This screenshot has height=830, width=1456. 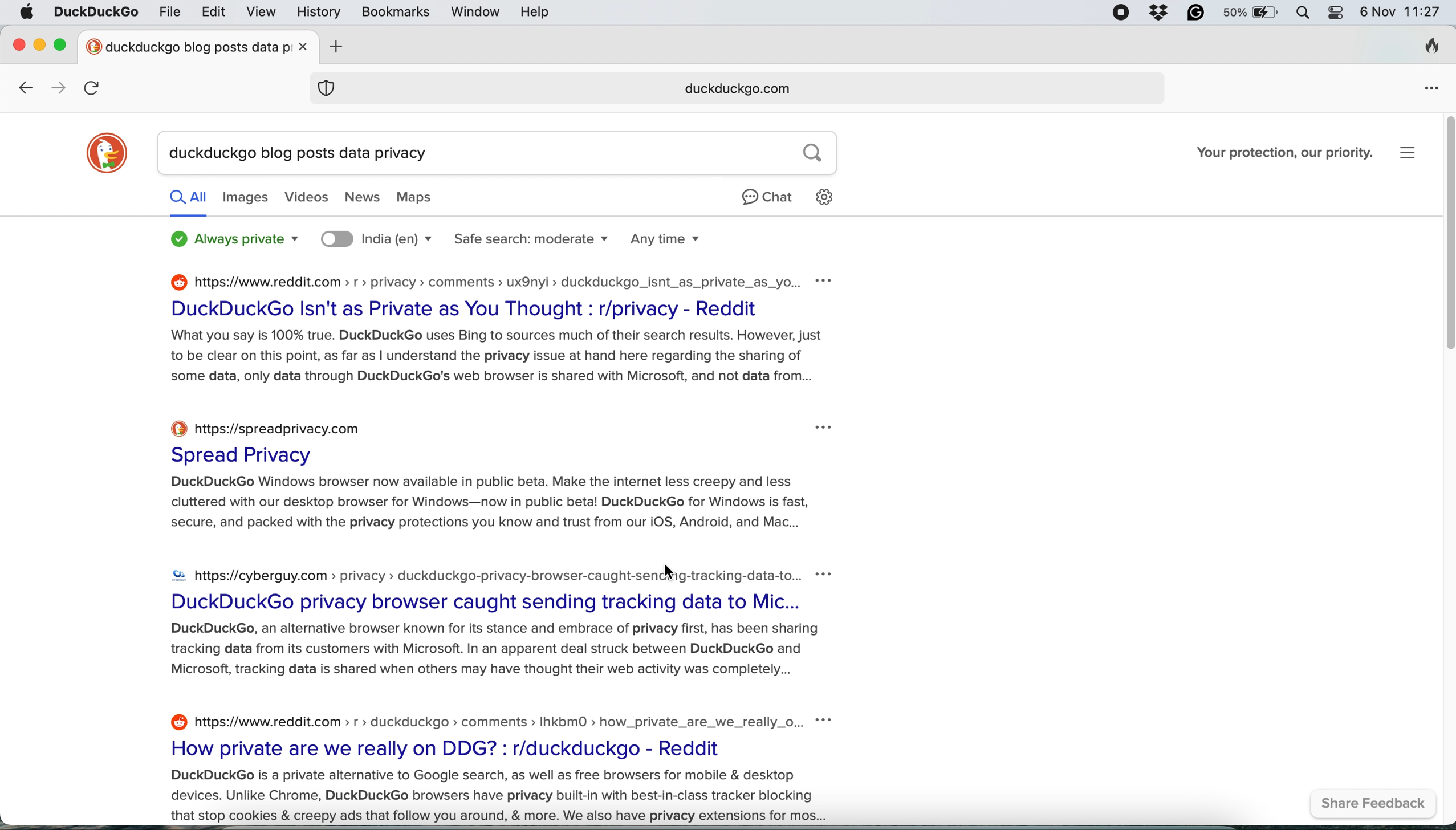 I want to click on chat, so click(x=767, y=203).